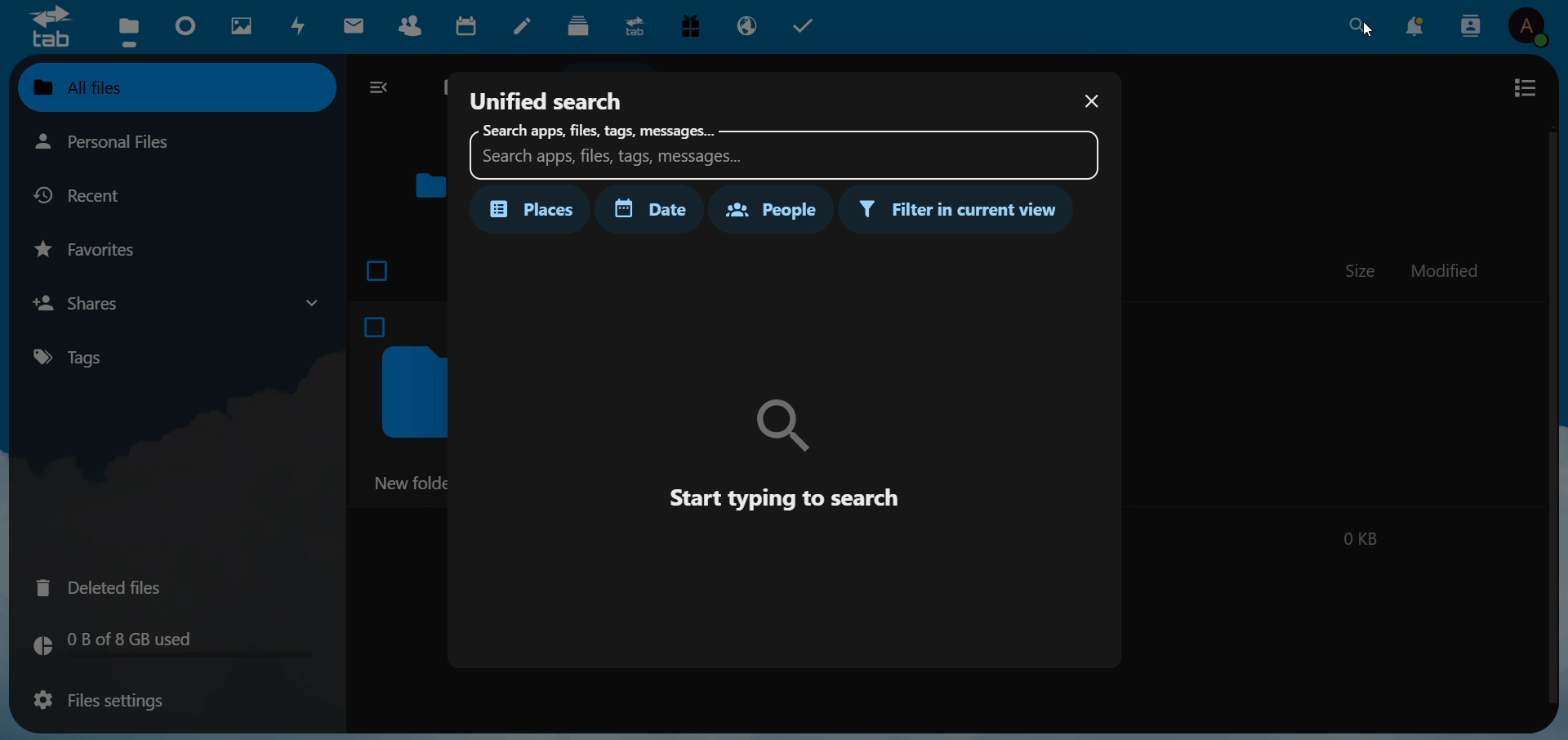 This screenshot has width=1568, height=740. Describe the element at coordinates (382, 89) in the screenshot. I see `collapse` at that location.